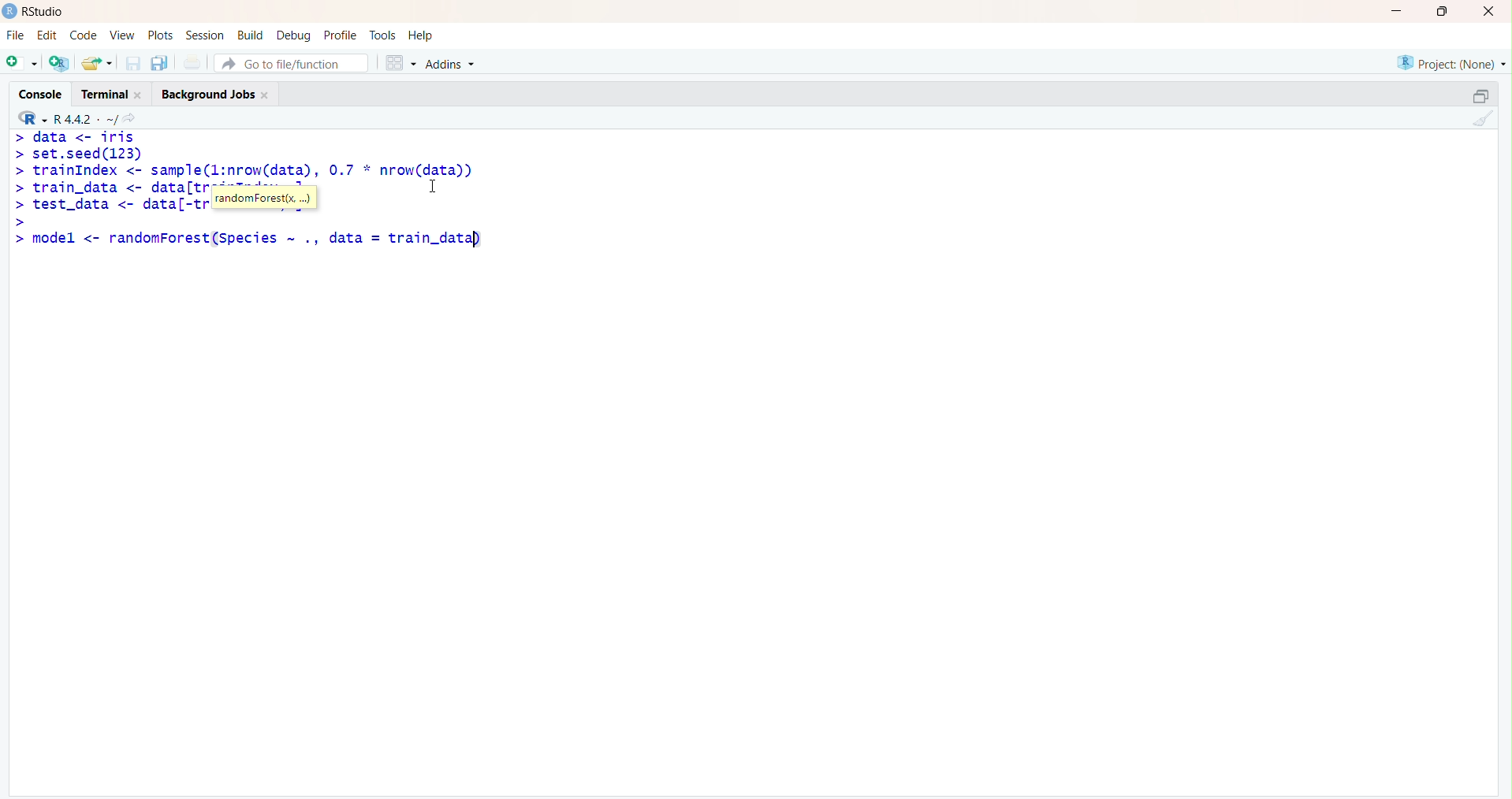 Image resolution: width=1512 pixels, height=799 pixels. What do you see at coordinates (18, 156) in the screenshot?
I see `Prompt cursor` at bounding box center [18, 156].